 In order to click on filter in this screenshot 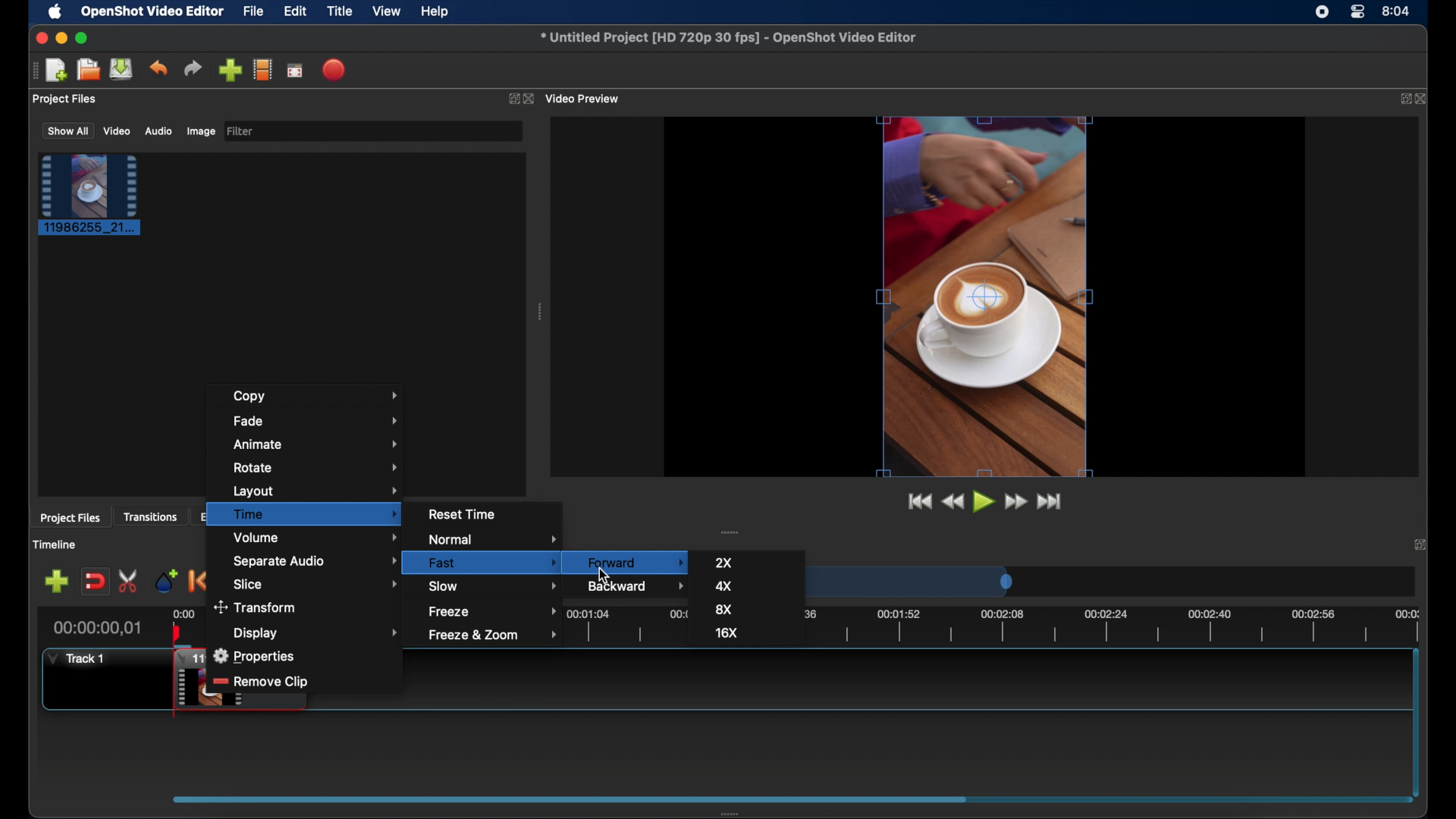, I will do `click(241, 131)`.